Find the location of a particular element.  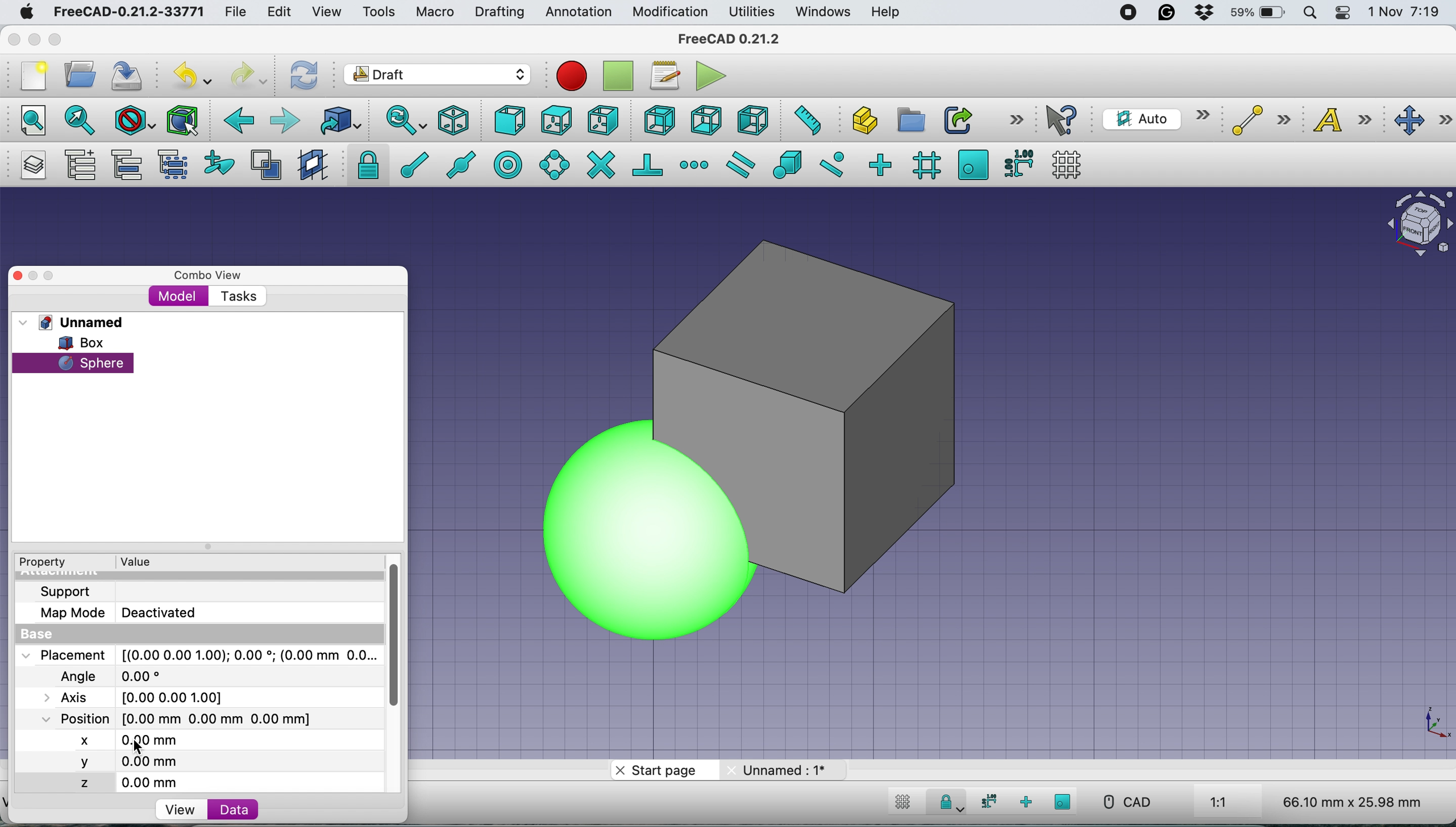

sphere selected is located at coordinates (73, 360).